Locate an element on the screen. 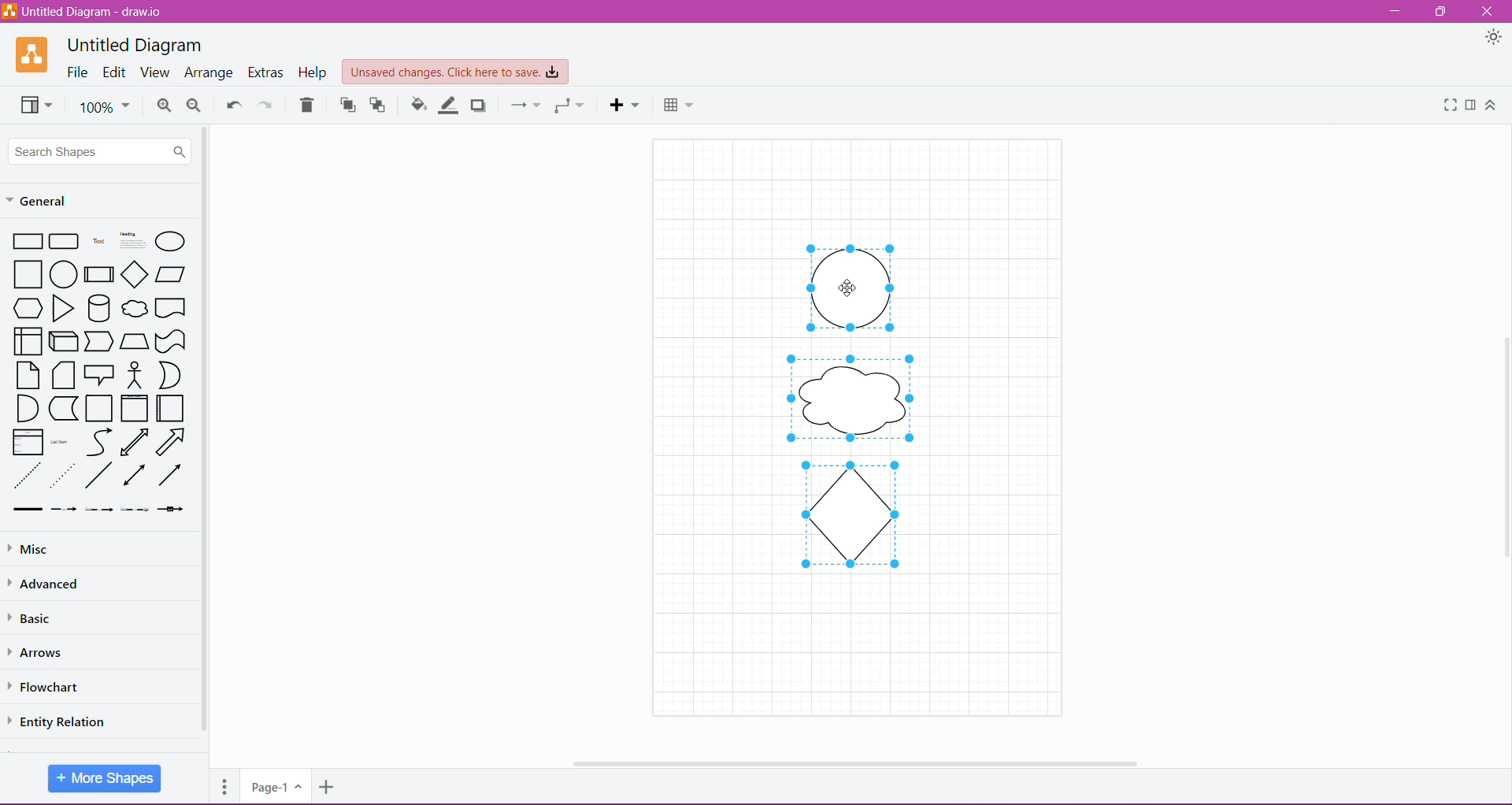 The width and height of the screenshot is (1512, 805). Page 1 is located at coordinates (274, 785).